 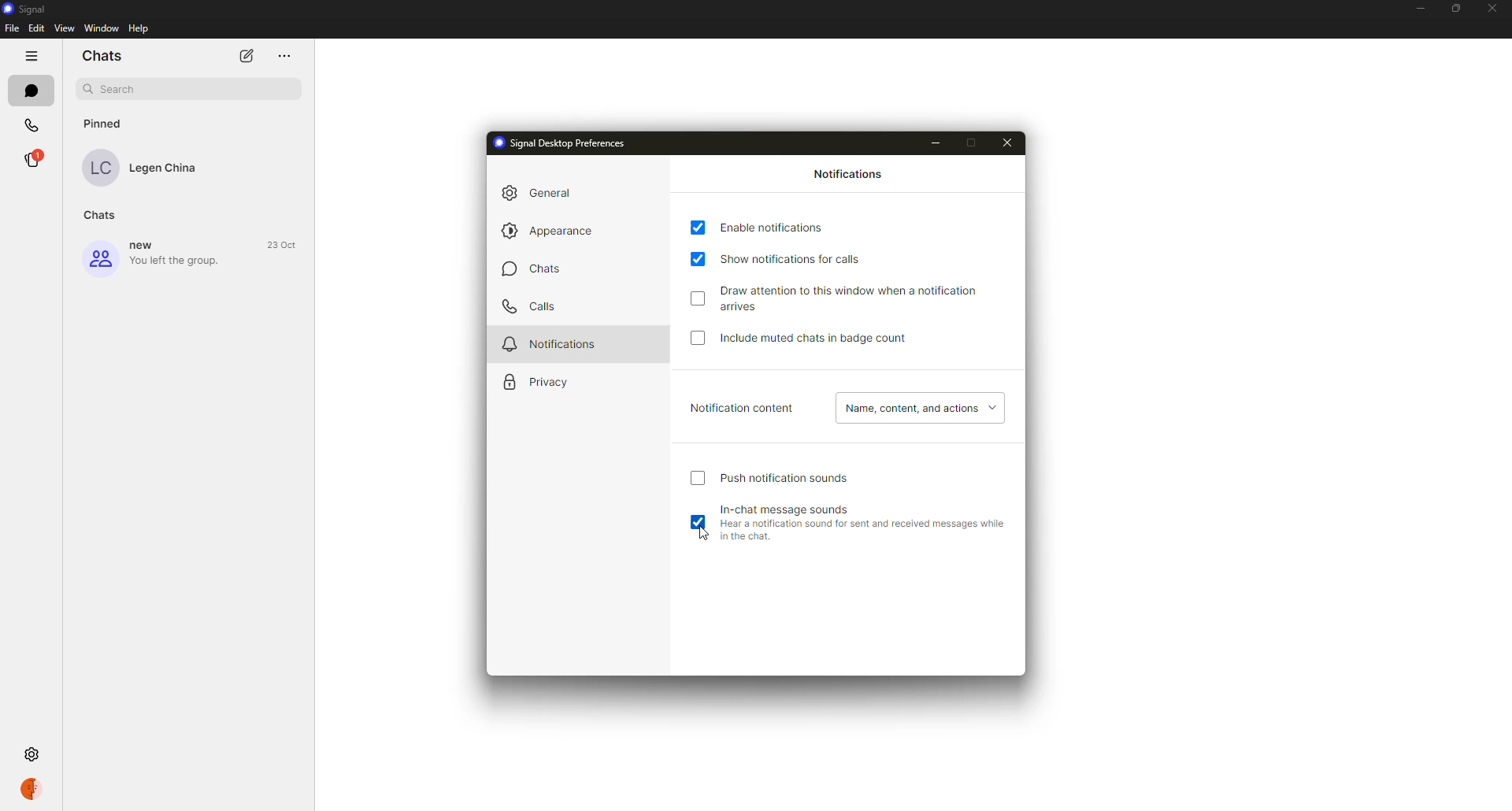 I want to click on notification content, so click(x=743, y=409).